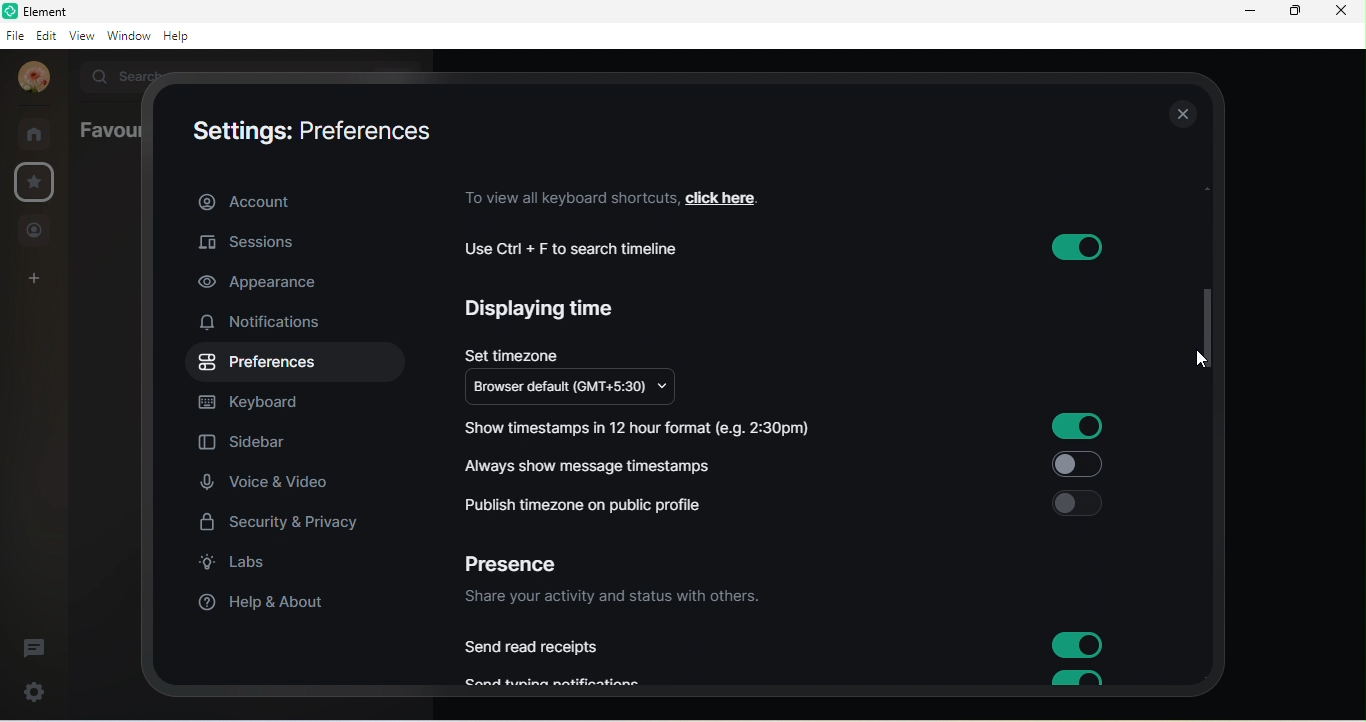 The image size is (1366, 722). What do you see at coordinates (735, 196) in the screenshot?
I see `click here` at bounding box center [735, 196].